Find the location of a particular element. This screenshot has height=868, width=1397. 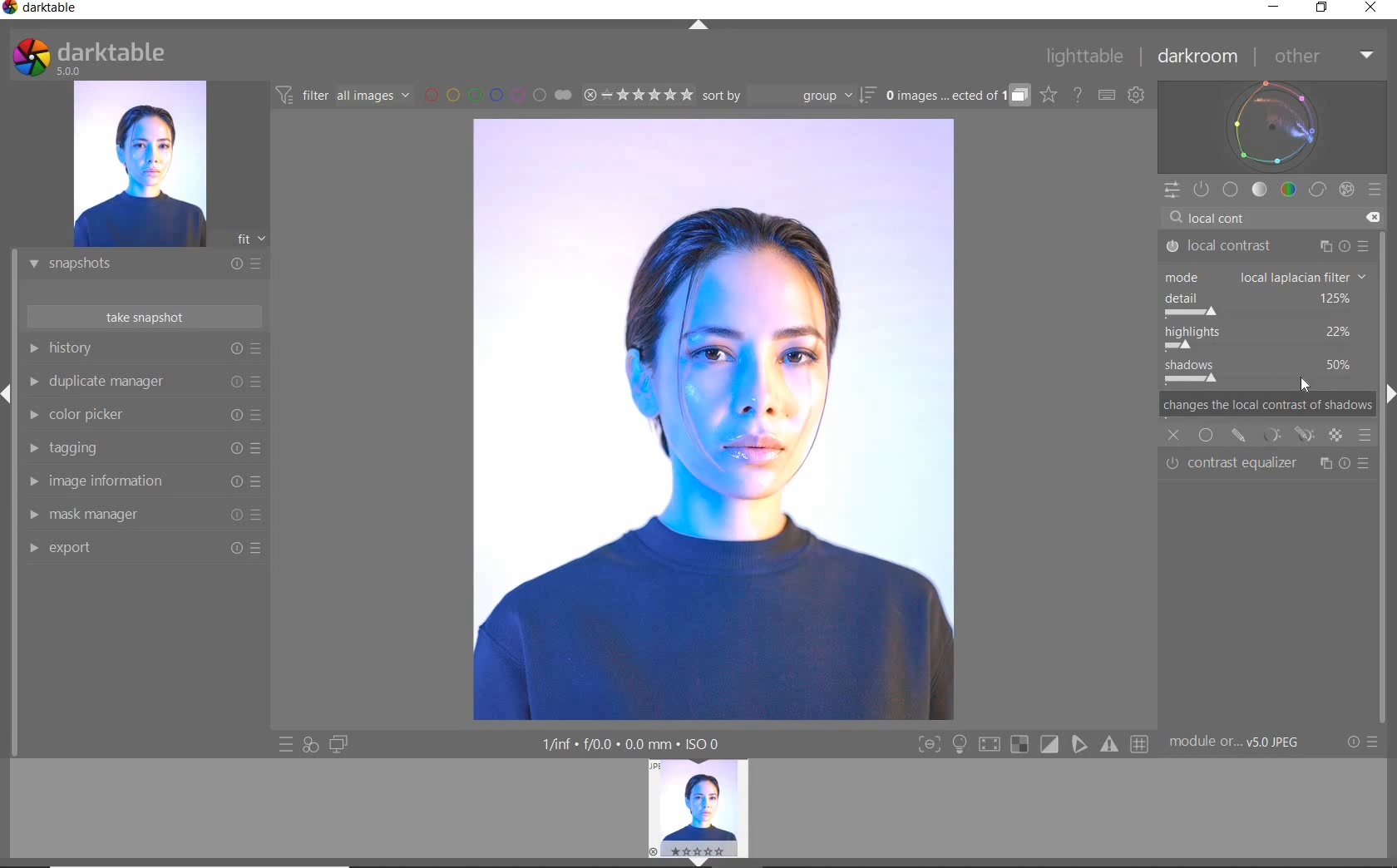

QUICK ACCESS PANEL is located at coordinates (1171, 191).